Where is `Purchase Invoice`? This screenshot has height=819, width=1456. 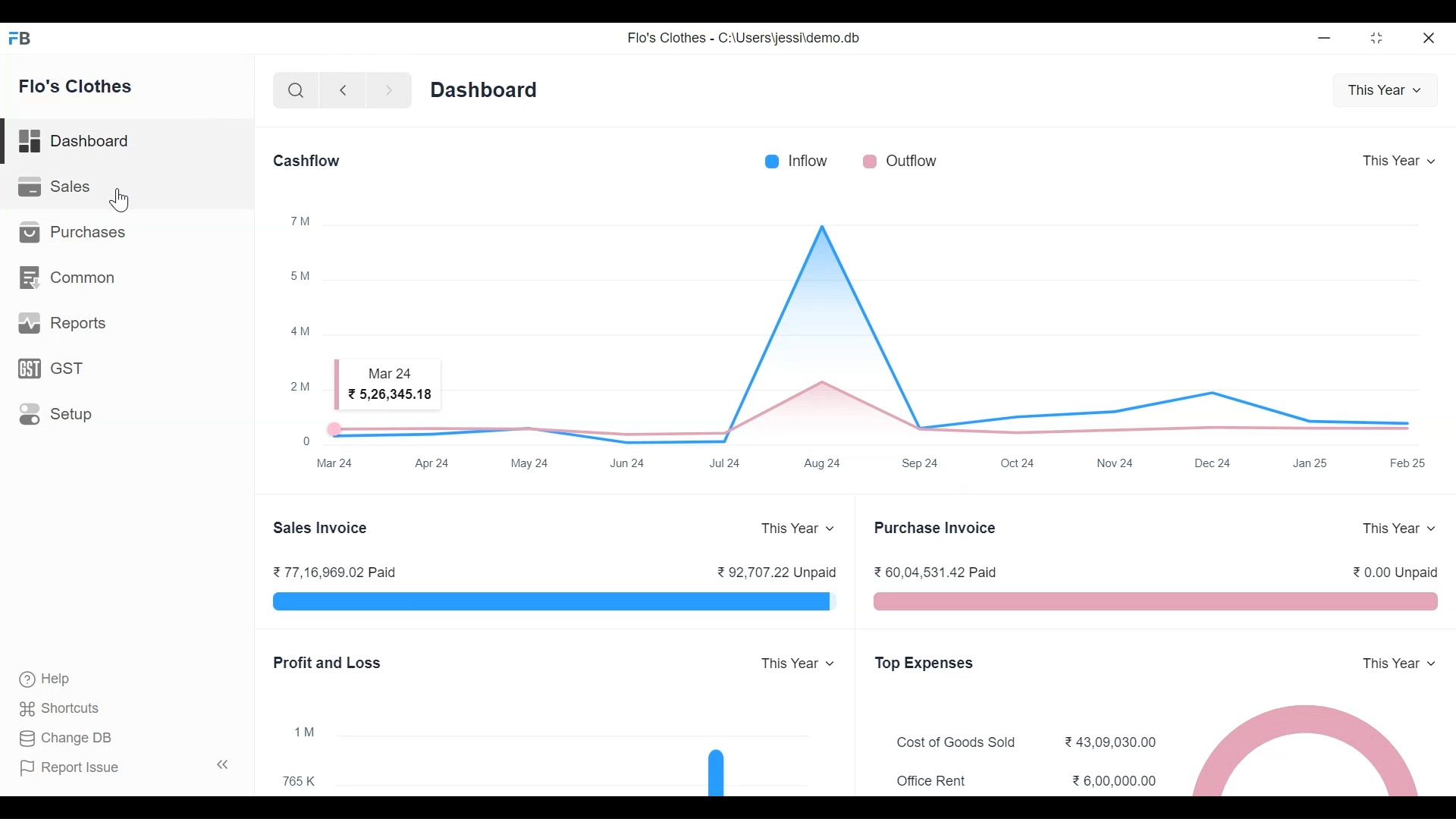
Purchase Invoice is located at coordinates (933, 528).